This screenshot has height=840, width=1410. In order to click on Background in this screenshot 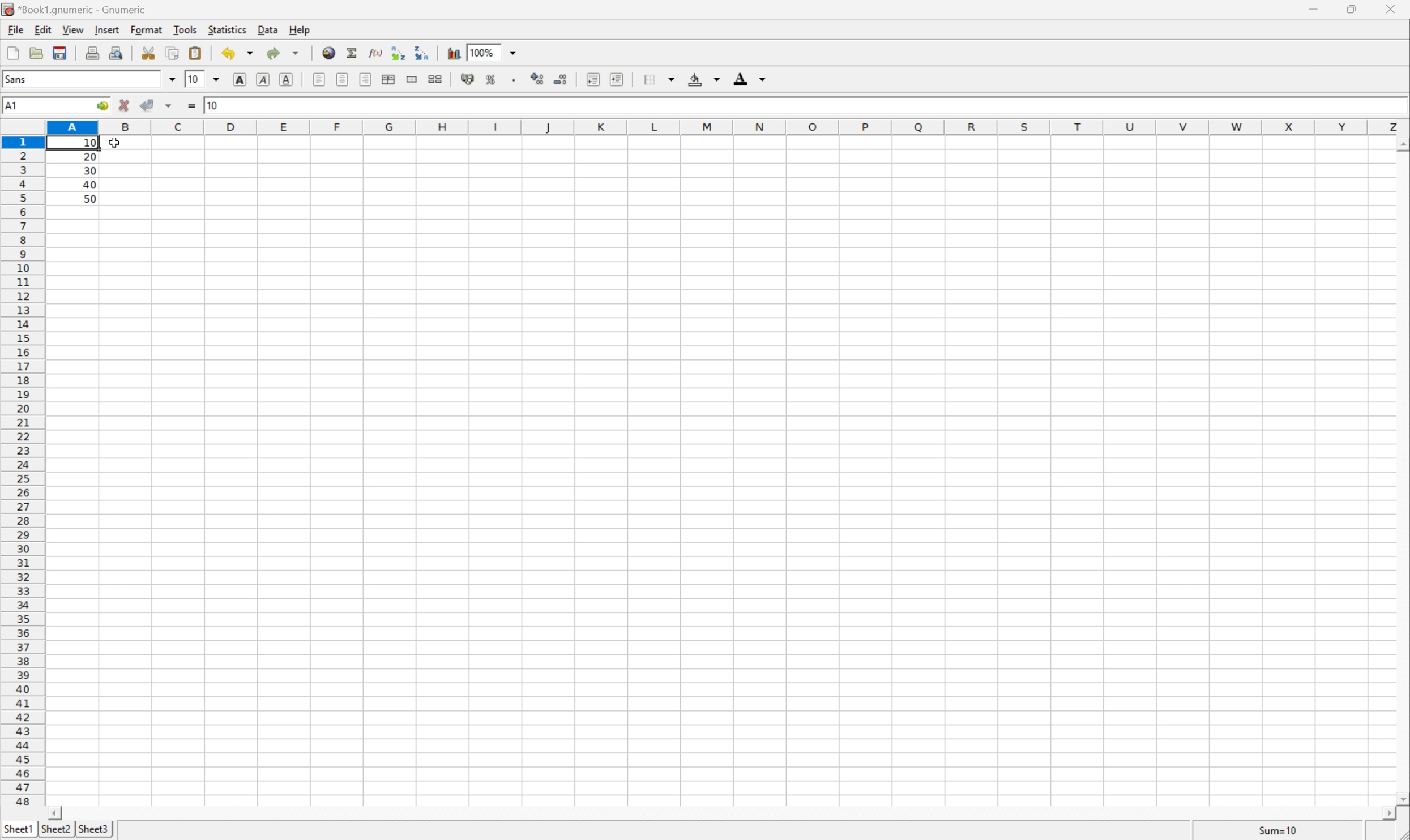, I will do `click(704, 79)`.